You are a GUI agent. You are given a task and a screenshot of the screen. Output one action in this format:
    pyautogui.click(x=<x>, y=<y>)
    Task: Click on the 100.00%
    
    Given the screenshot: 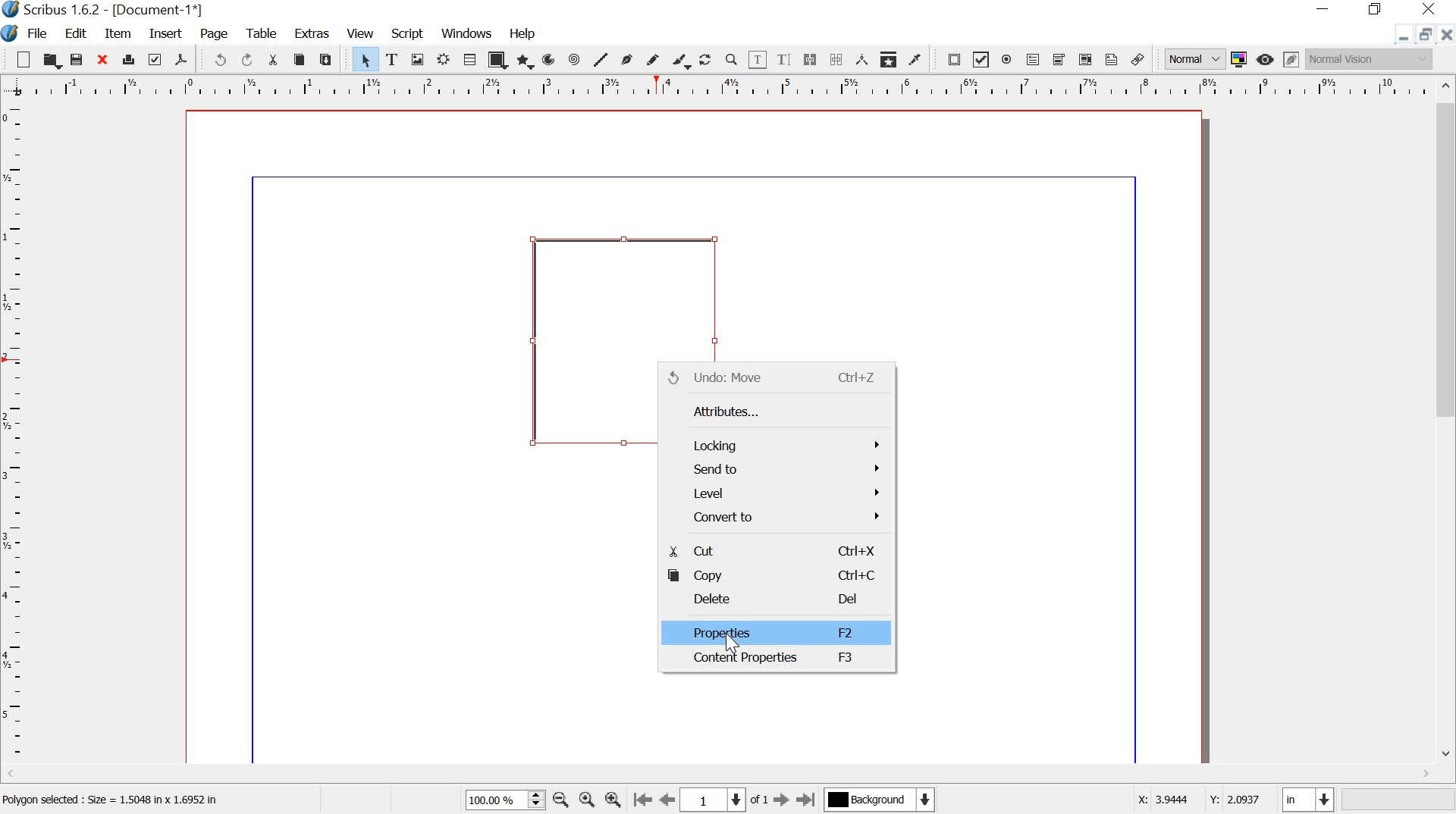 What is the action you would take?
    pyautogui.click(x=491, y=800)
    